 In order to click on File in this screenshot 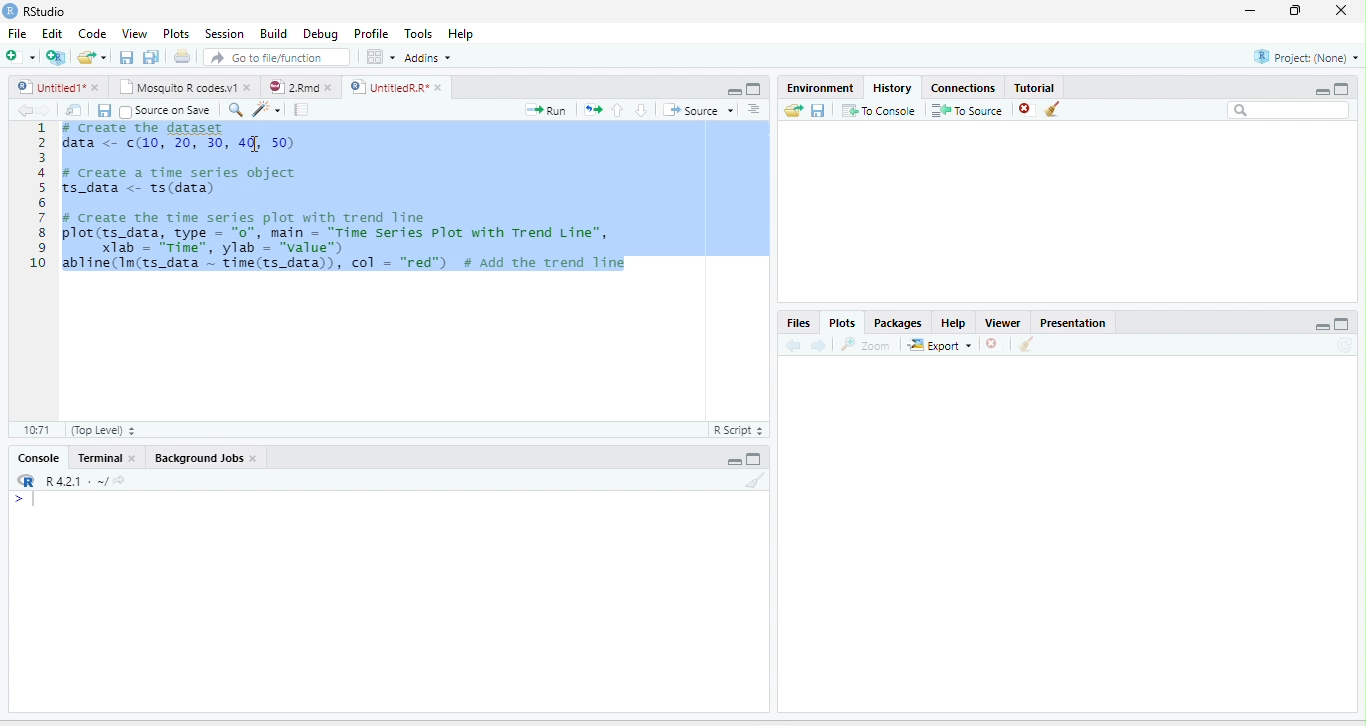, I will do `click(18, 33)`.